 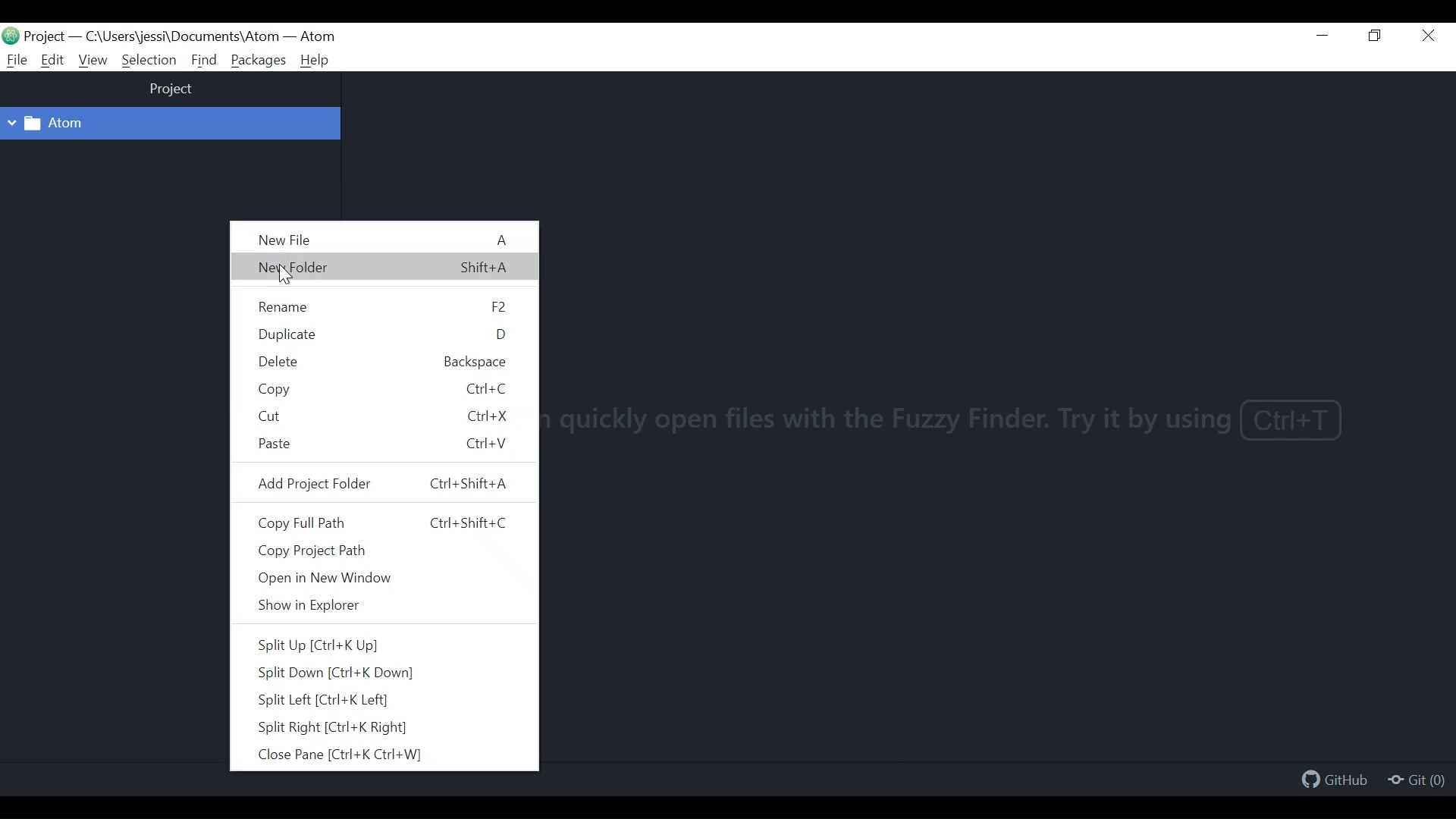 What do you see at coordinates (469, 520) in the screenshot?
I see `Ctrl+Shift+C` at bounding box center [469, 520].